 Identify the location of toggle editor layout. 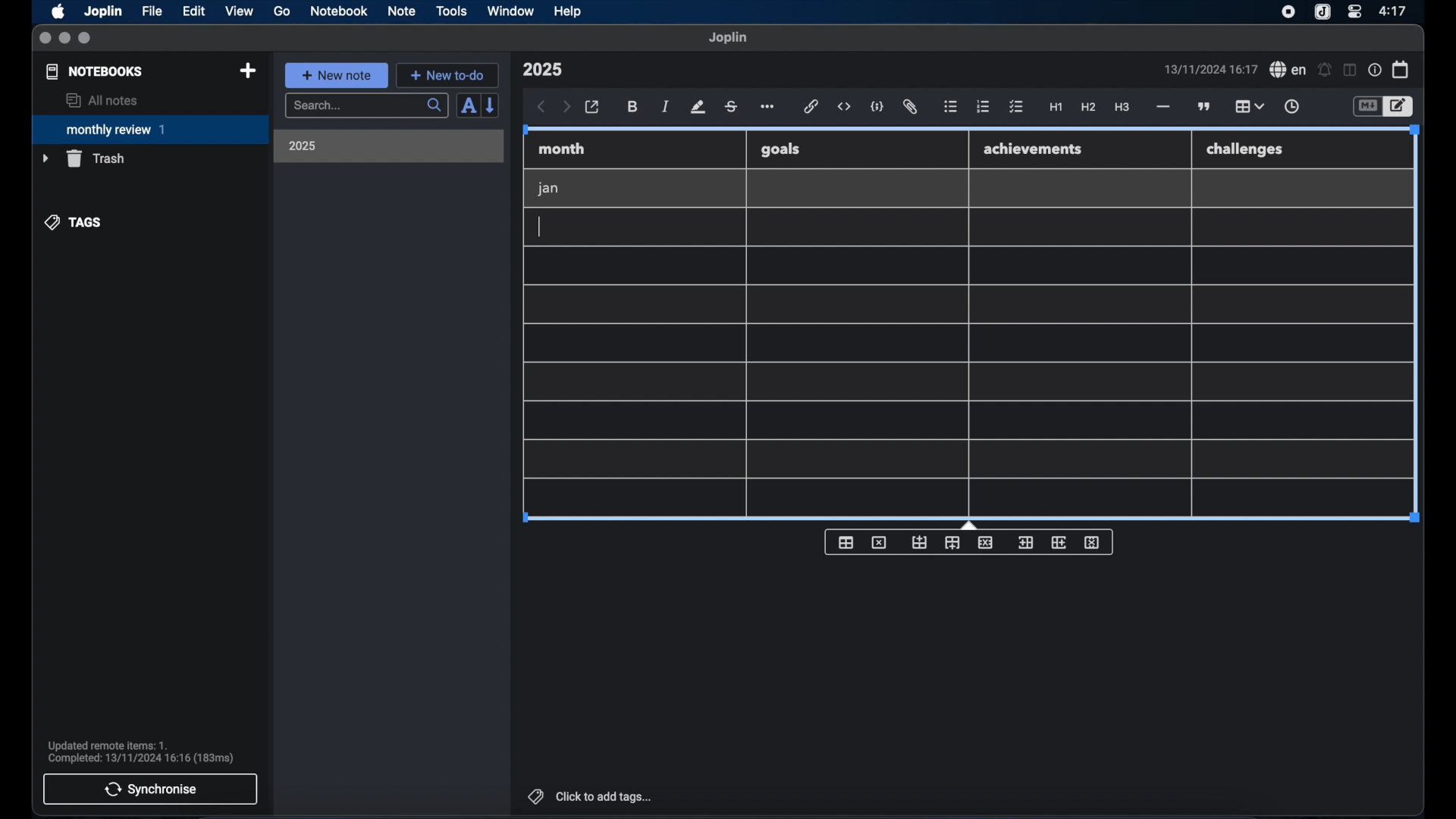
(1351, 70).